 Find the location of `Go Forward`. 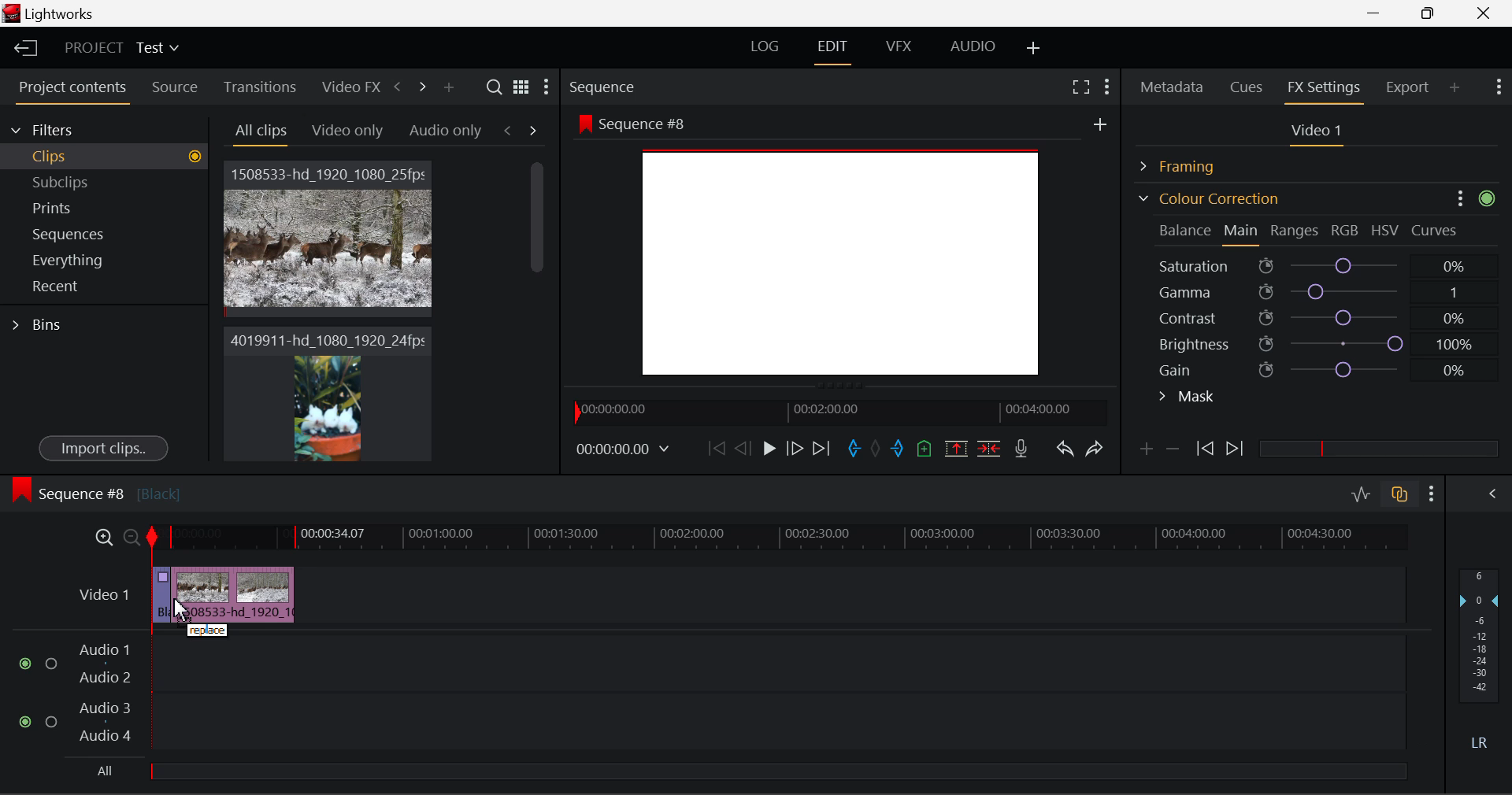

Go Forward is located at coordinates (795, 448).